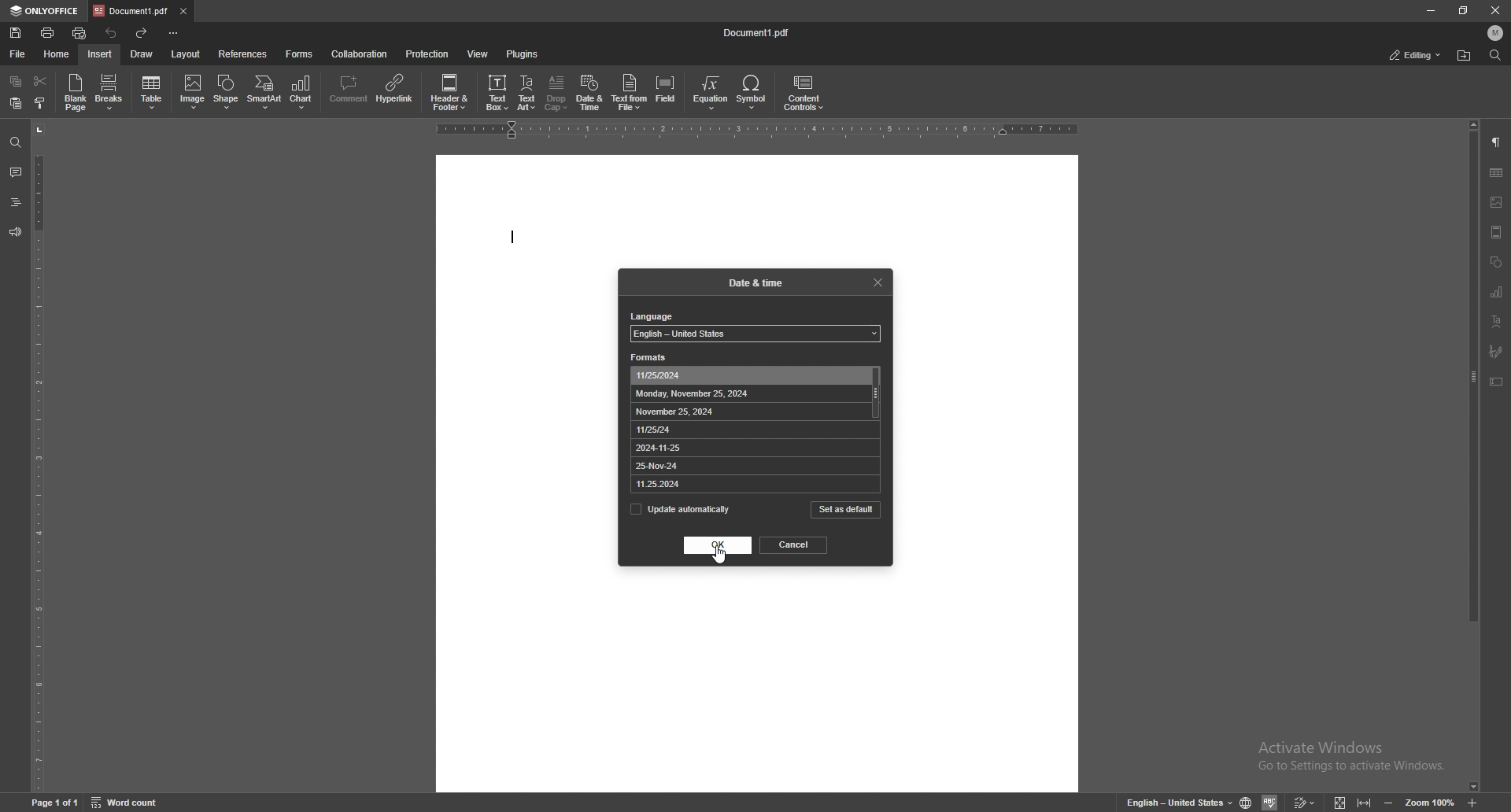  I want to click on cut, so click(39, 80).